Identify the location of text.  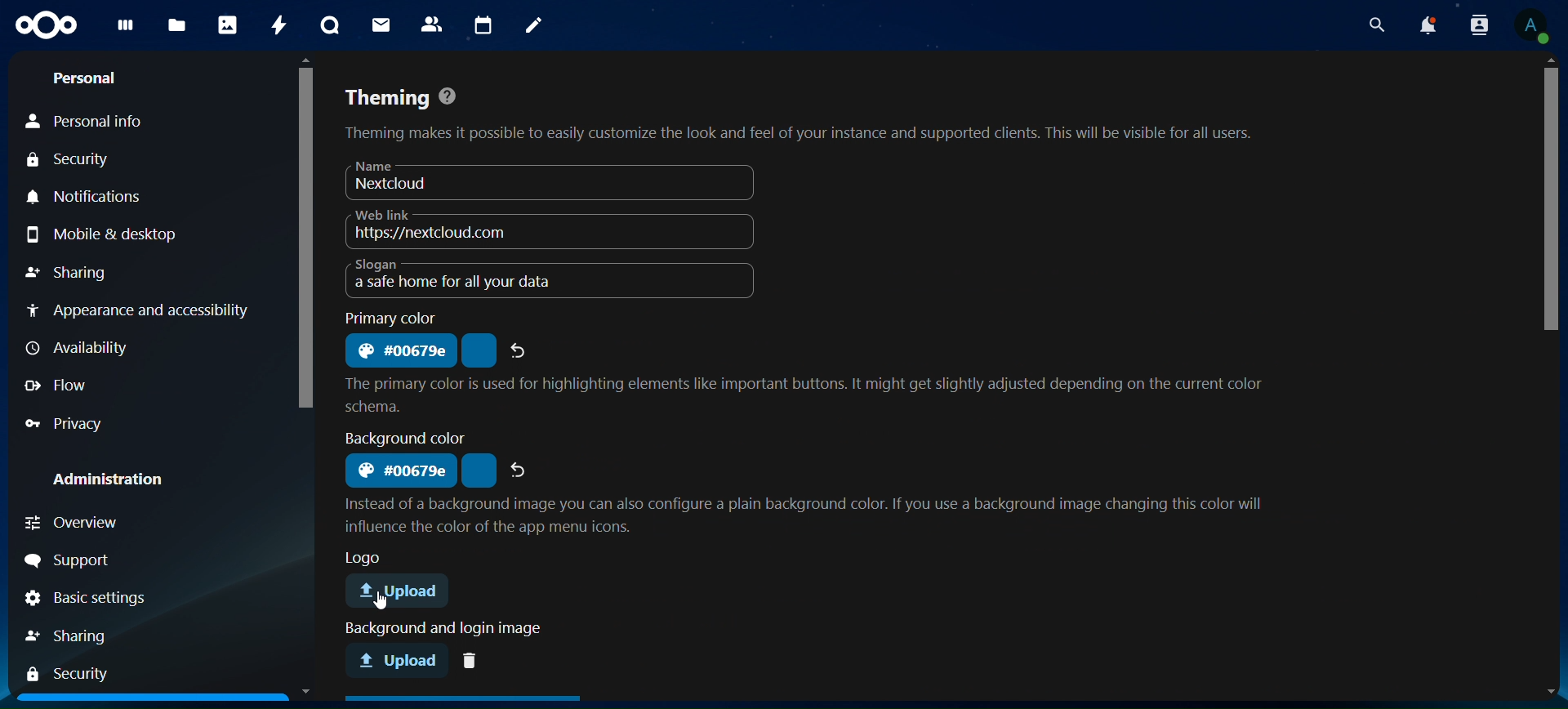
(806, 394).